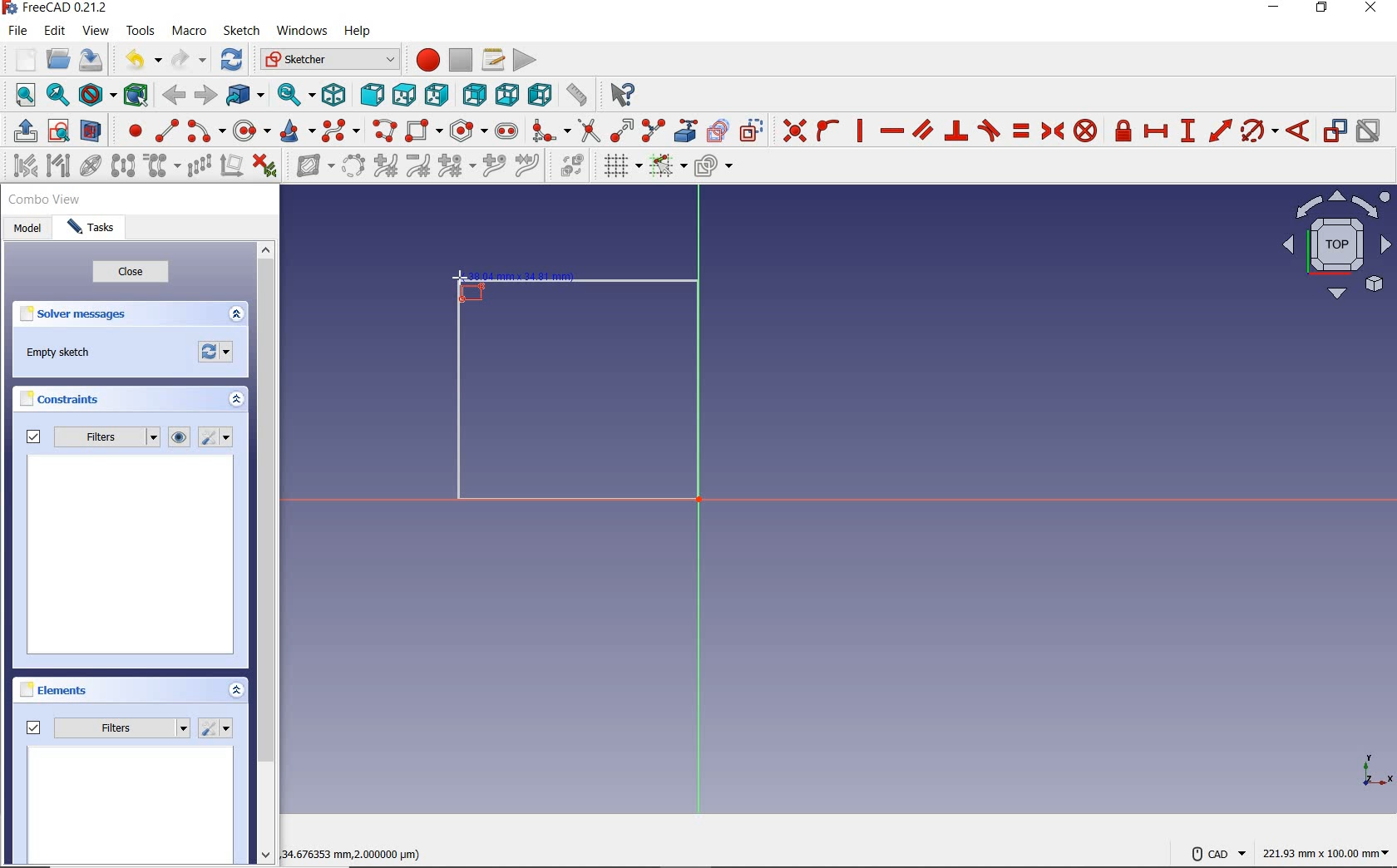 Image resolution: width=1397 pixels, height=868 pixels. What do you see at coordinates (358, 850) in the screenshot?
I see `34.676353mm,2.000000 μm` at bounding box center [358, 850].